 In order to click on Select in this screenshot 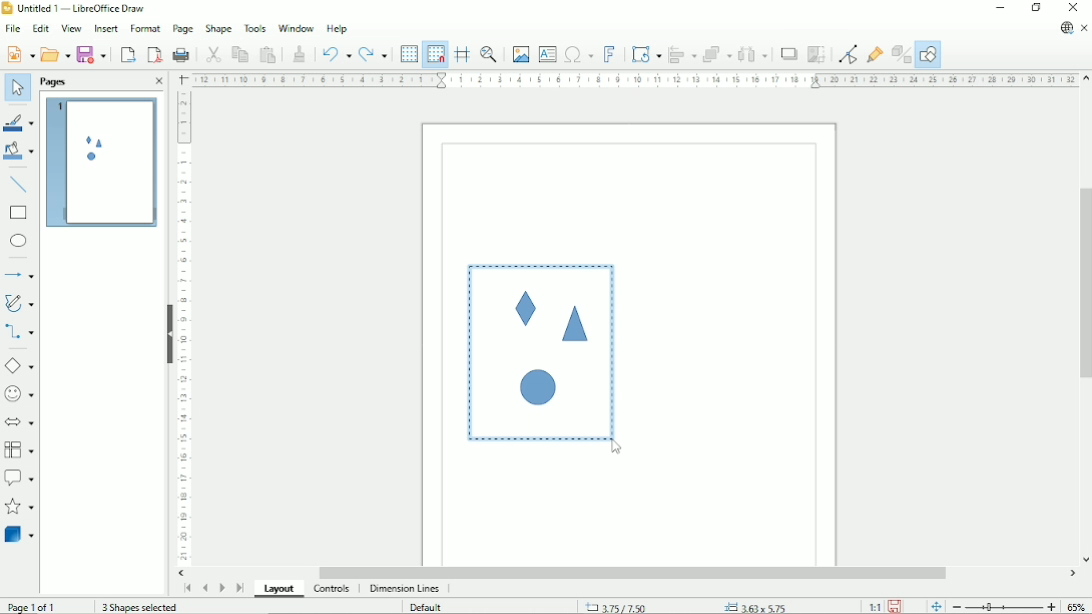, I will do `click(17, 89)`.